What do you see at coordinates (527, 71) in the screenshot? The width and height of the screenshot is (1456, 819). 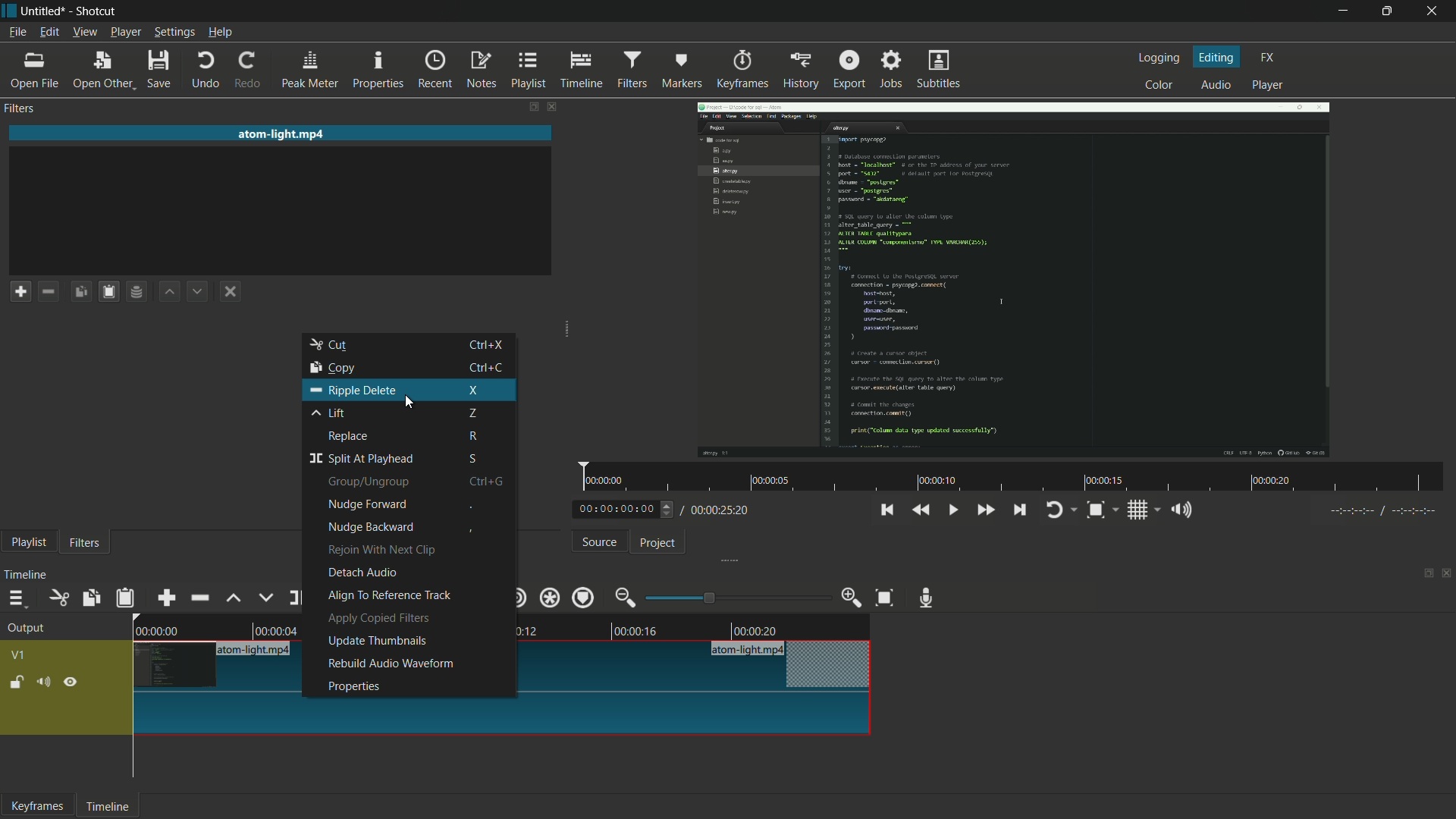 I see `playlist` at bounding box center [527, 71].